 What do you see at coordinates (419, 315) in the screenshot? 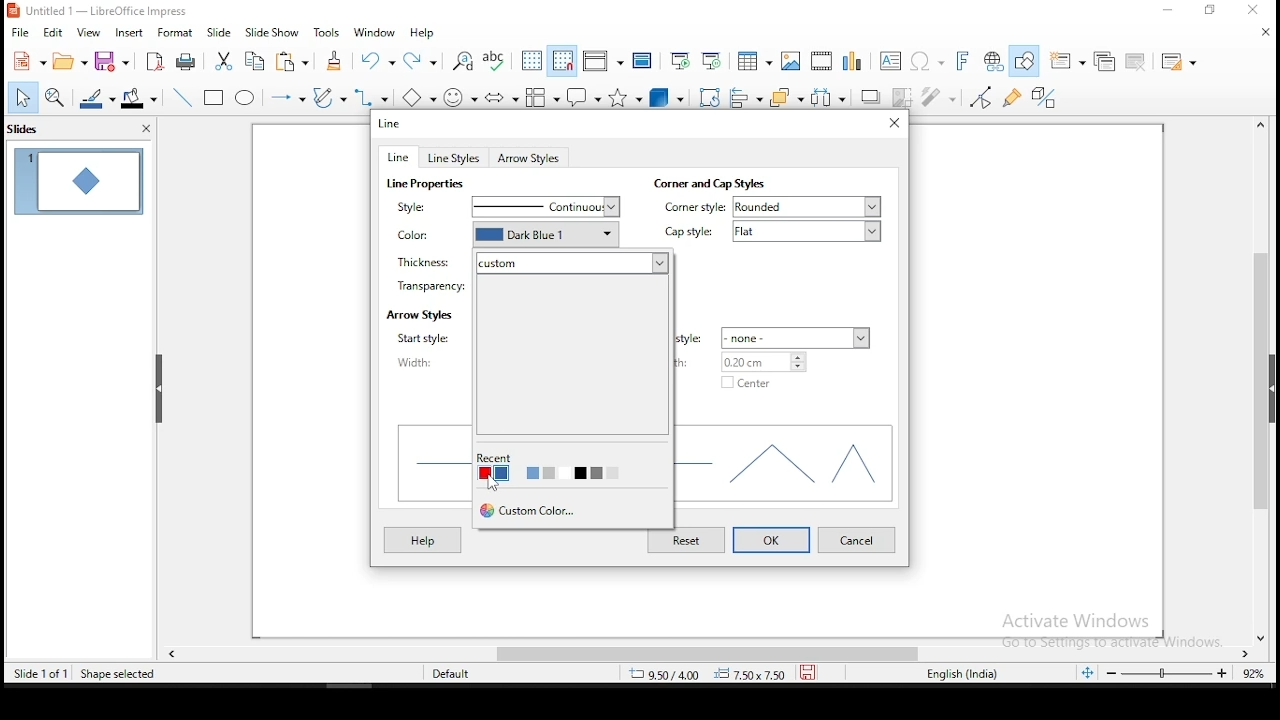
I see `arrow styles` at bounding box center [419, 315].